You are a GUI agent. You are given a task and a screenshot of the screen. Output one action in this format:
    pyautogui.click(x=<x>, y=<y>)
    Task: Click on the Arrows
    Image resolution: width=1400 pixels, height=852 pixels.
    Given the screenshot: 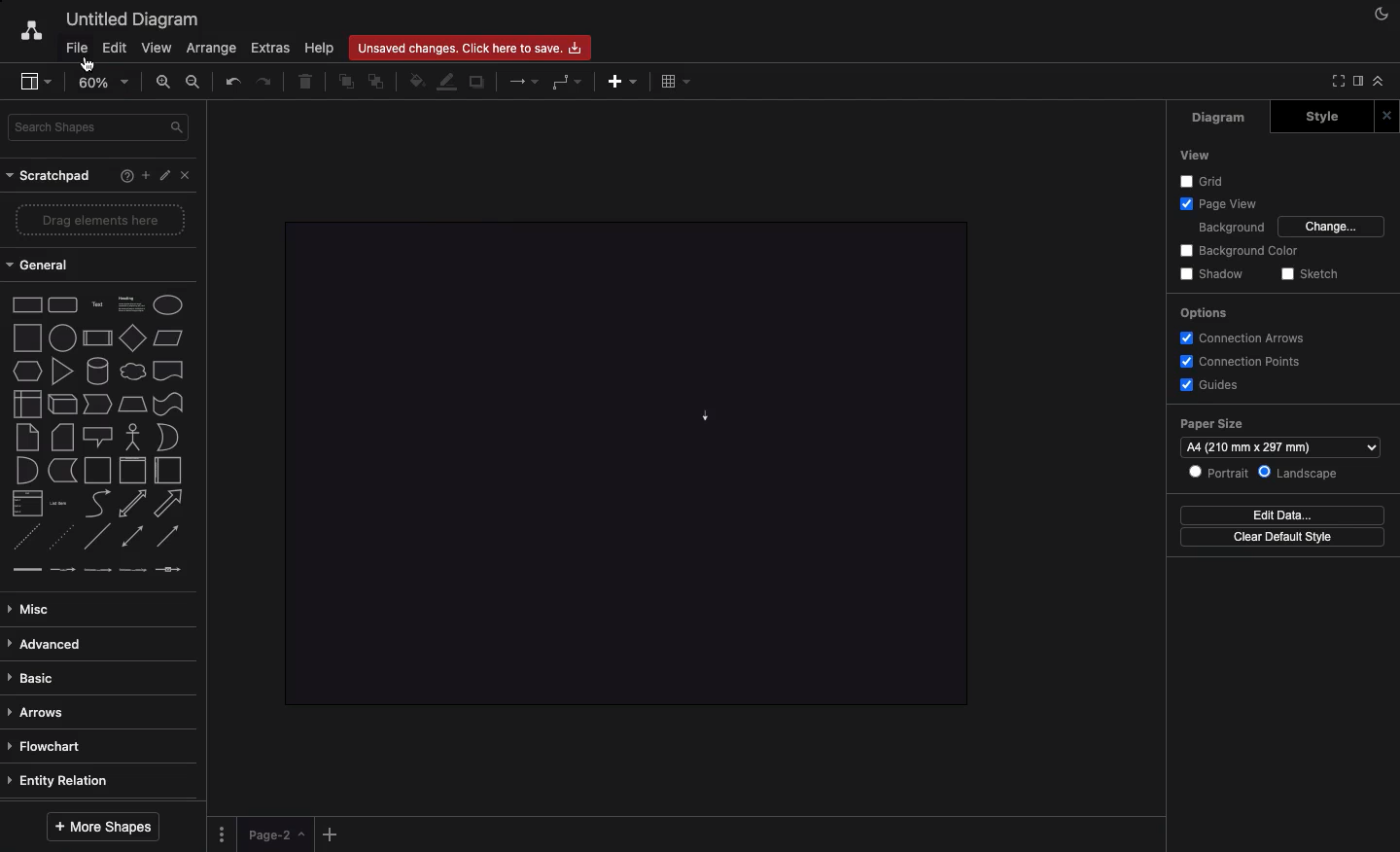 What is the action you would take?
    pyautogui.click(x=43, y=712)
    